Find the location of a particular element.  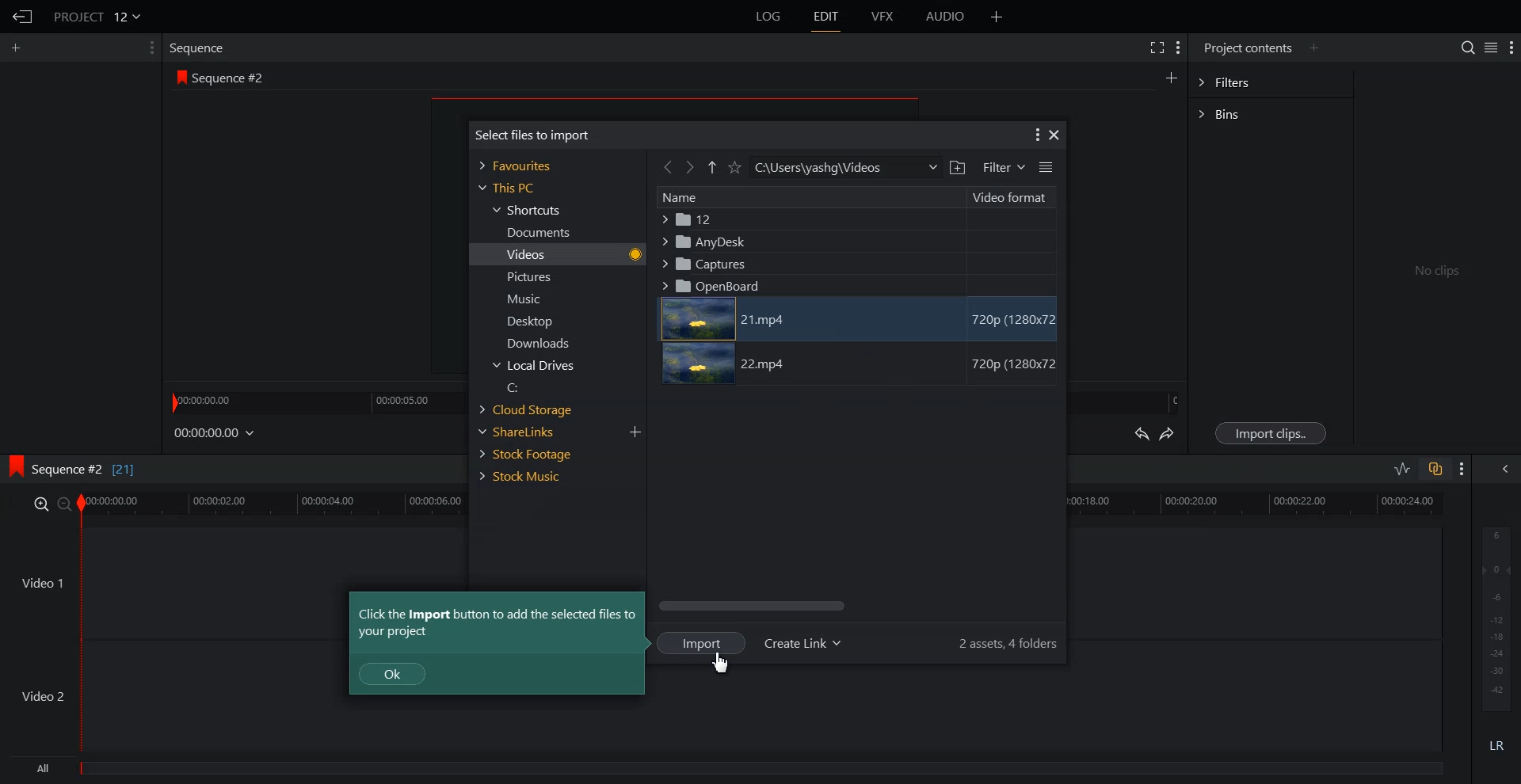

AUDIO is located at coordinates (946, 17).